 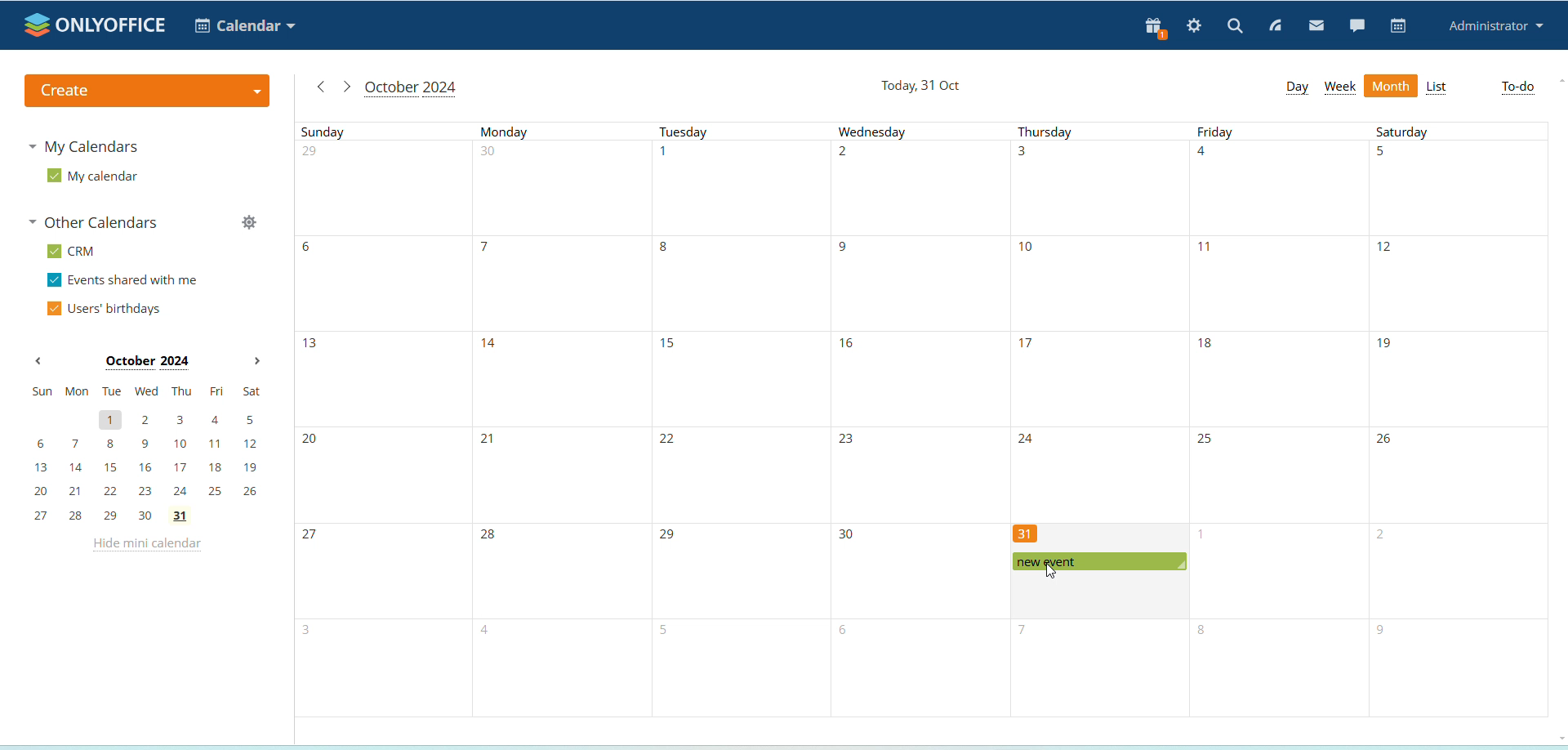 I want to click on logo, so click(x=96, y=25).